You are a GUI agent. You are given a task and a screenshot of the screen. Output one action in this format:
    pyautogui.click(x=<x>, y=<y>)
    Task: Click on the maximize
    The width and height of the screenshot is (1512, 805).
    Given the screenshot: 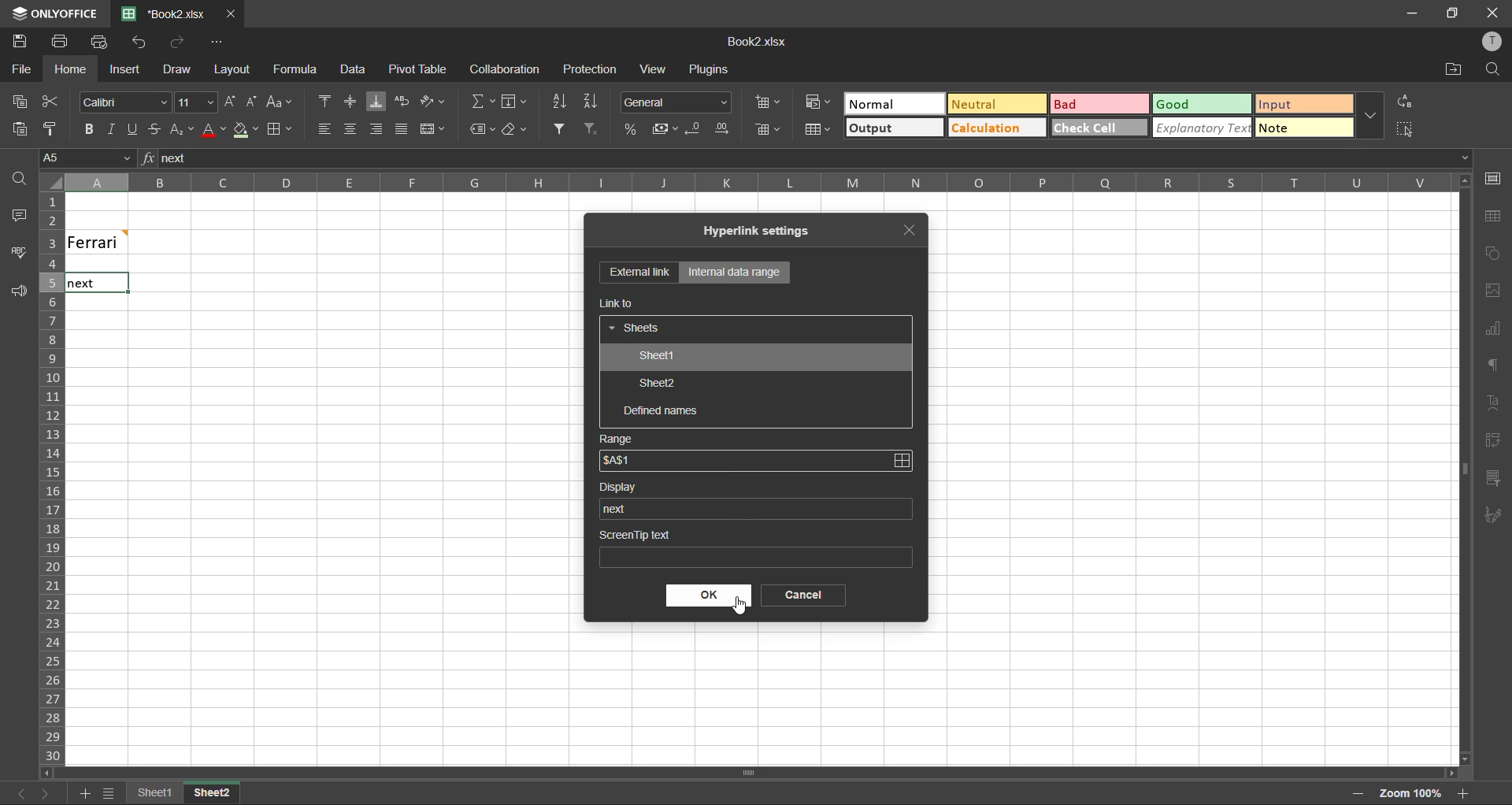 What is the action you would take?
    pyautogui.click(x=1450, y=13)
    